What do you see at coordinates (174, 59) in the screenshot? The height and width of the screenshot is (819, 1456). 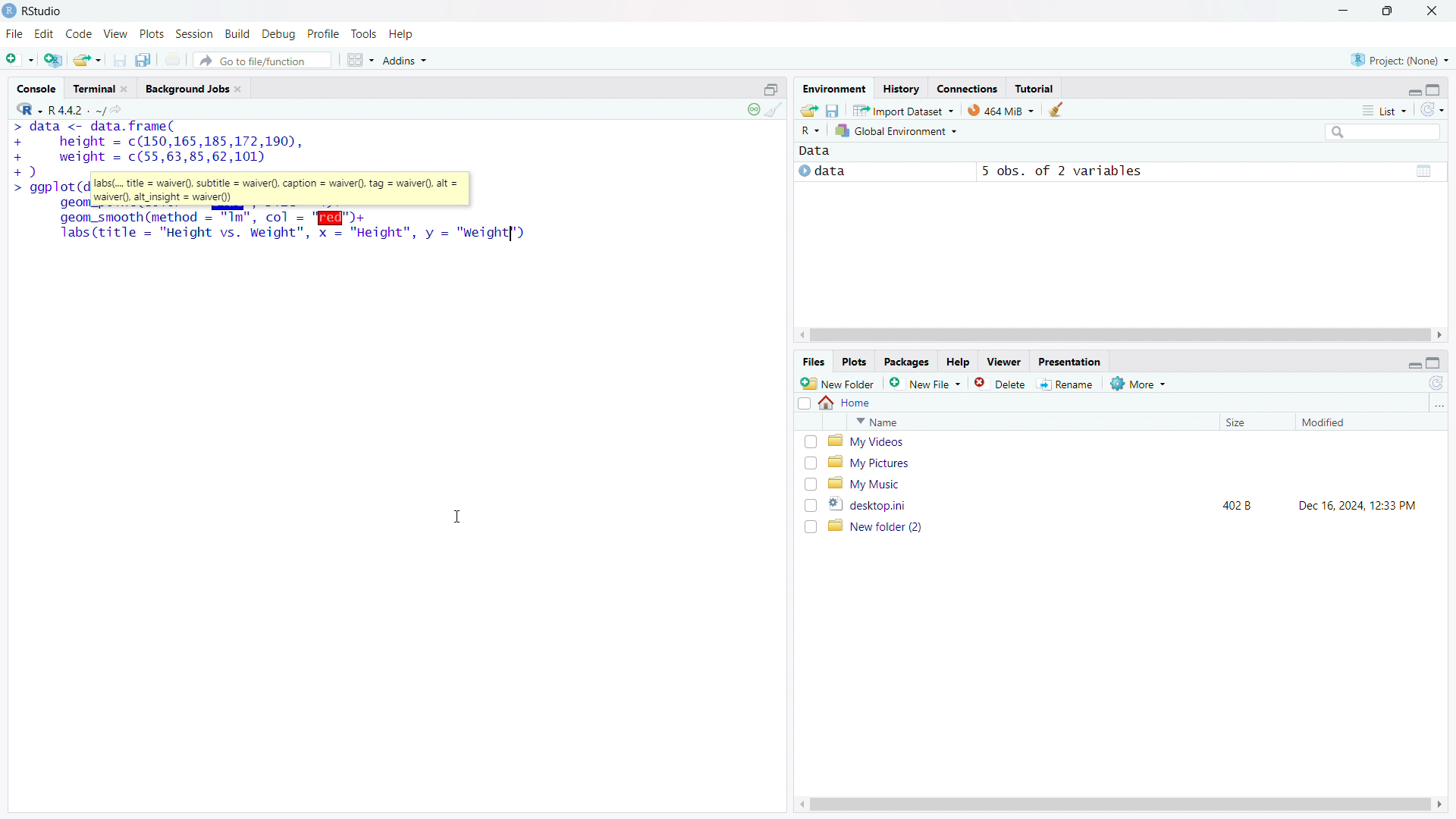 I see `print` at bounding box center [174, 59].